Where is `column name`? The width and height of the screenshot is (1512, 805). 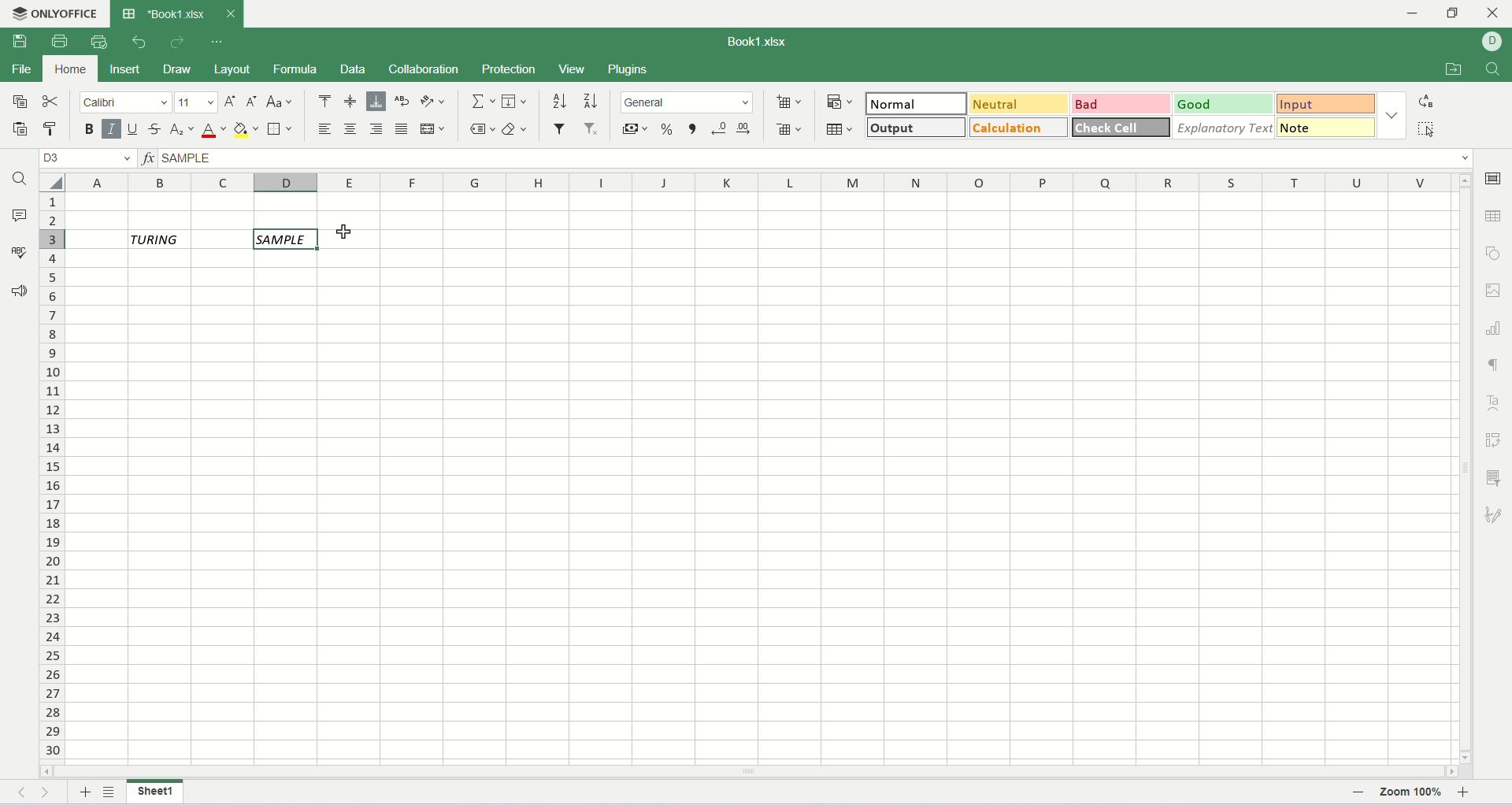 column name is located at coordinates (764, 184).